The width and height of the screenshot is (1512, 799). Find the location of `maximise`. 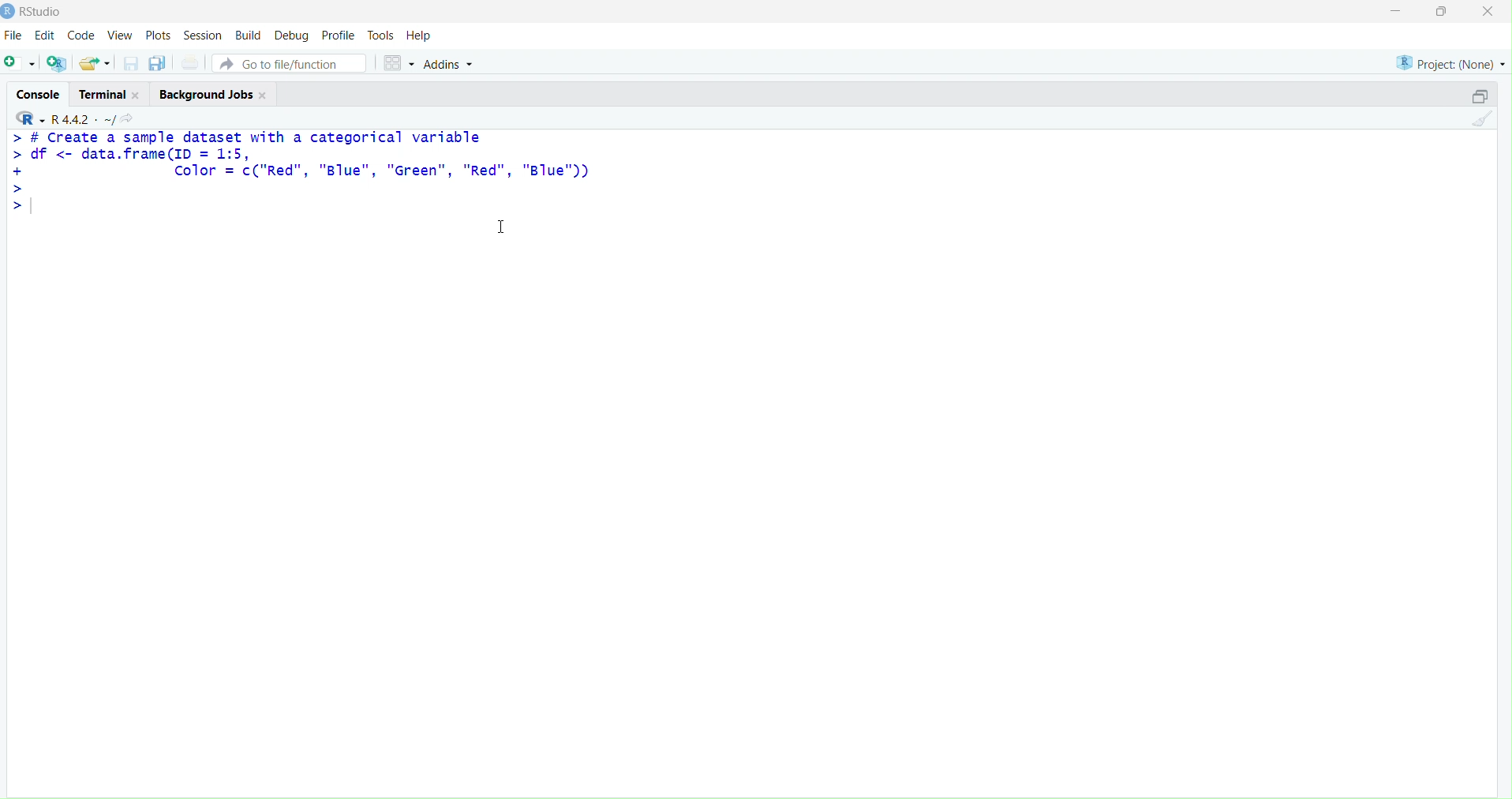

maximise is located at coordinates (1443, 11).